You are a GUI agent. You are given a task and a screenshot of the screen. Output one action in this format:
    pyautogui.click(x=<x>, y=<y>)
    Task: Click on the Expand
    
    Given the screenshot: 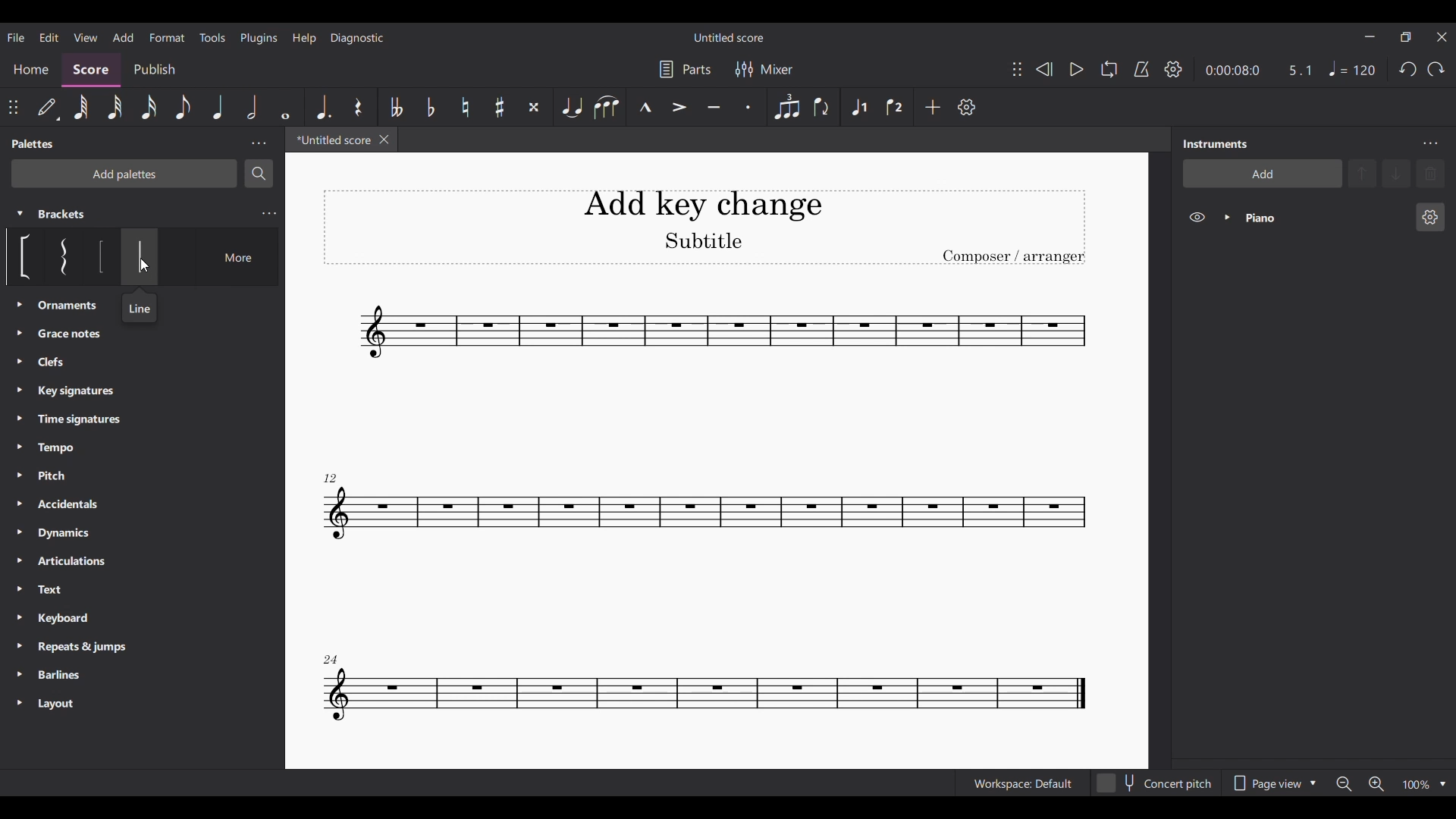 What is the action you would take?
    pyautogui.click(x=1228, y=217)
    